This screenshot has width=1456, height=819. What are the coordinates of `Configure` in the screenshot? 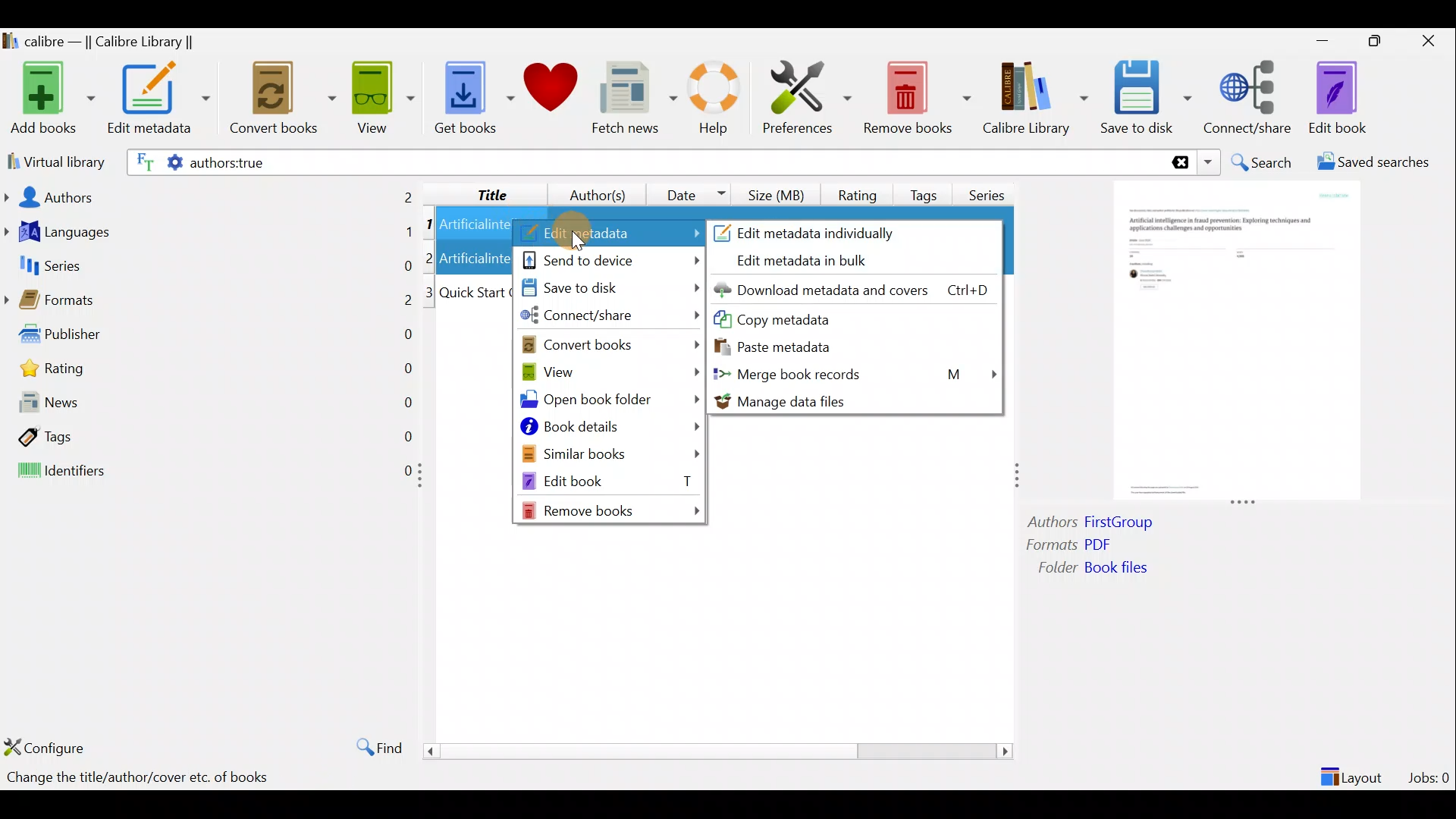 It's located at (49, 747).